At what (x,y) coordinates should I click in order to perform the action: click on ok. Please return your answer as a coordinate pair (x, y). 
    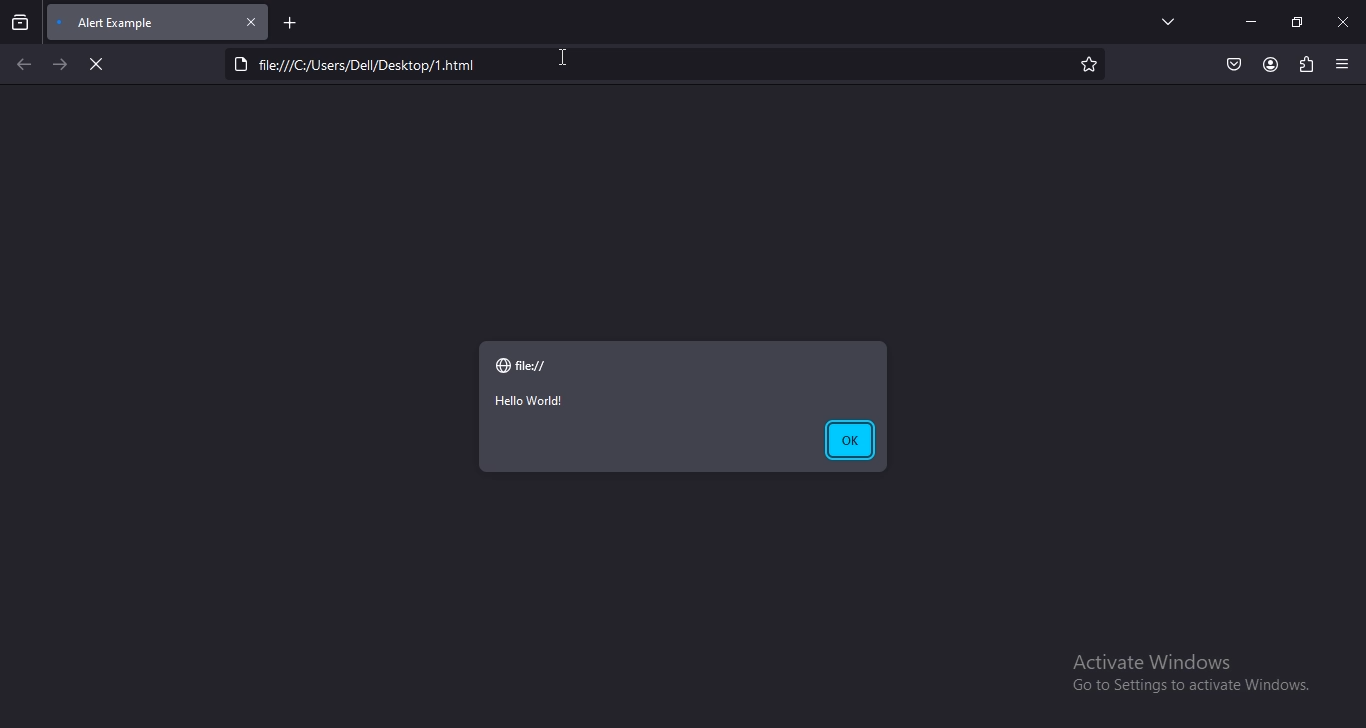
    Looking at the image, I should click on (849, 440).